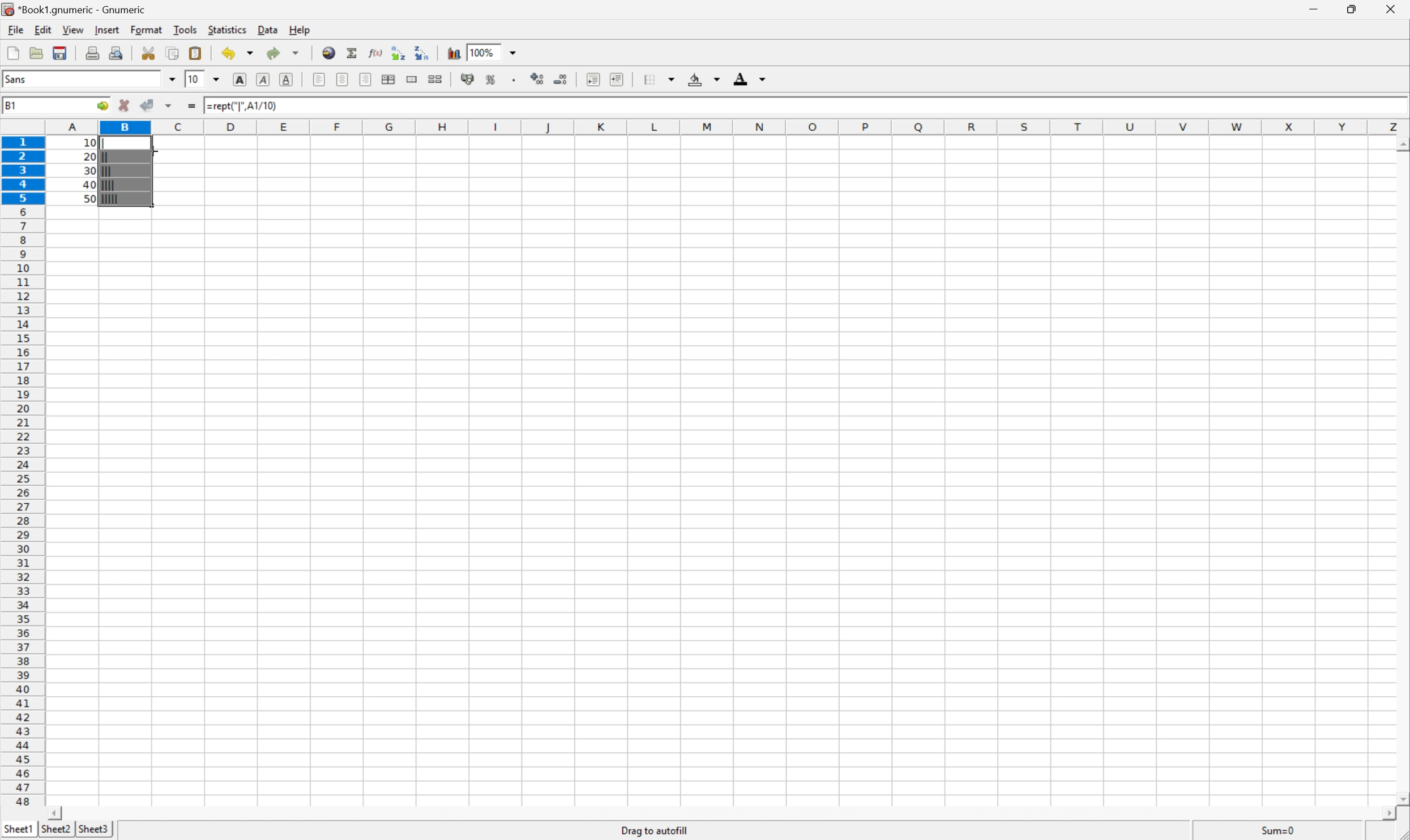  What do you see at coordinates (109, 157) in the screenshot?
I see `||` at bounding box center [109, 157].